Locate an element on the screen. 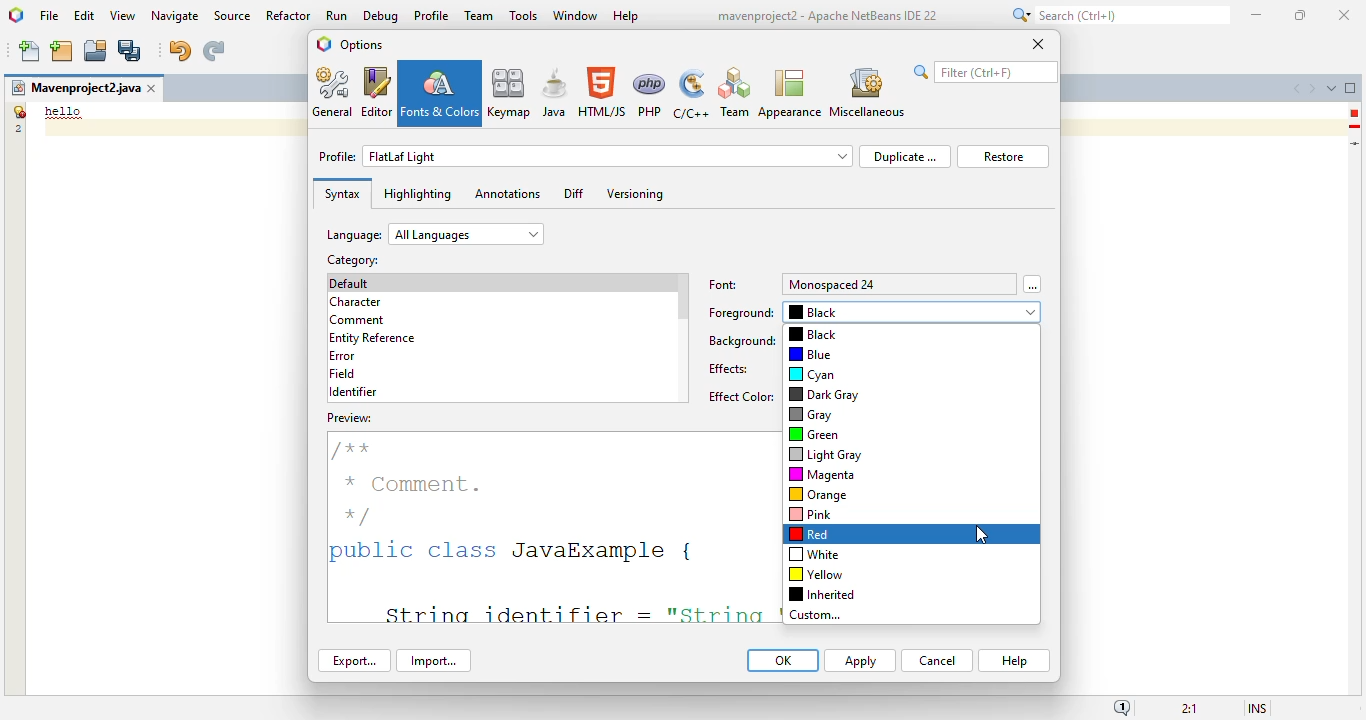  open project is located at coordinates (96, 51).